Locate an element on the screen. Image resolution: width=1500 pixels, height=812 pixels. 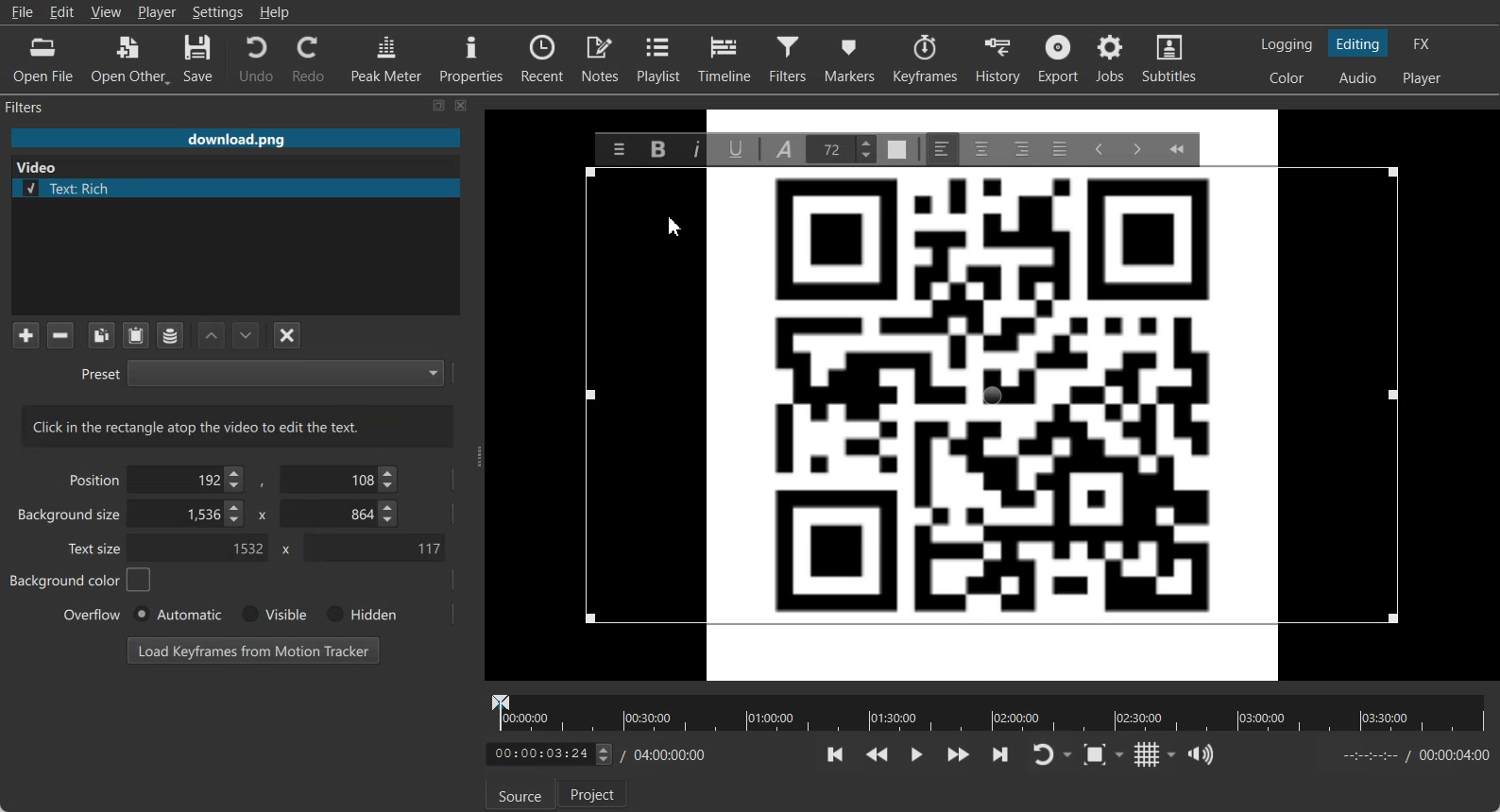
File is located at coordinates (235, 140).